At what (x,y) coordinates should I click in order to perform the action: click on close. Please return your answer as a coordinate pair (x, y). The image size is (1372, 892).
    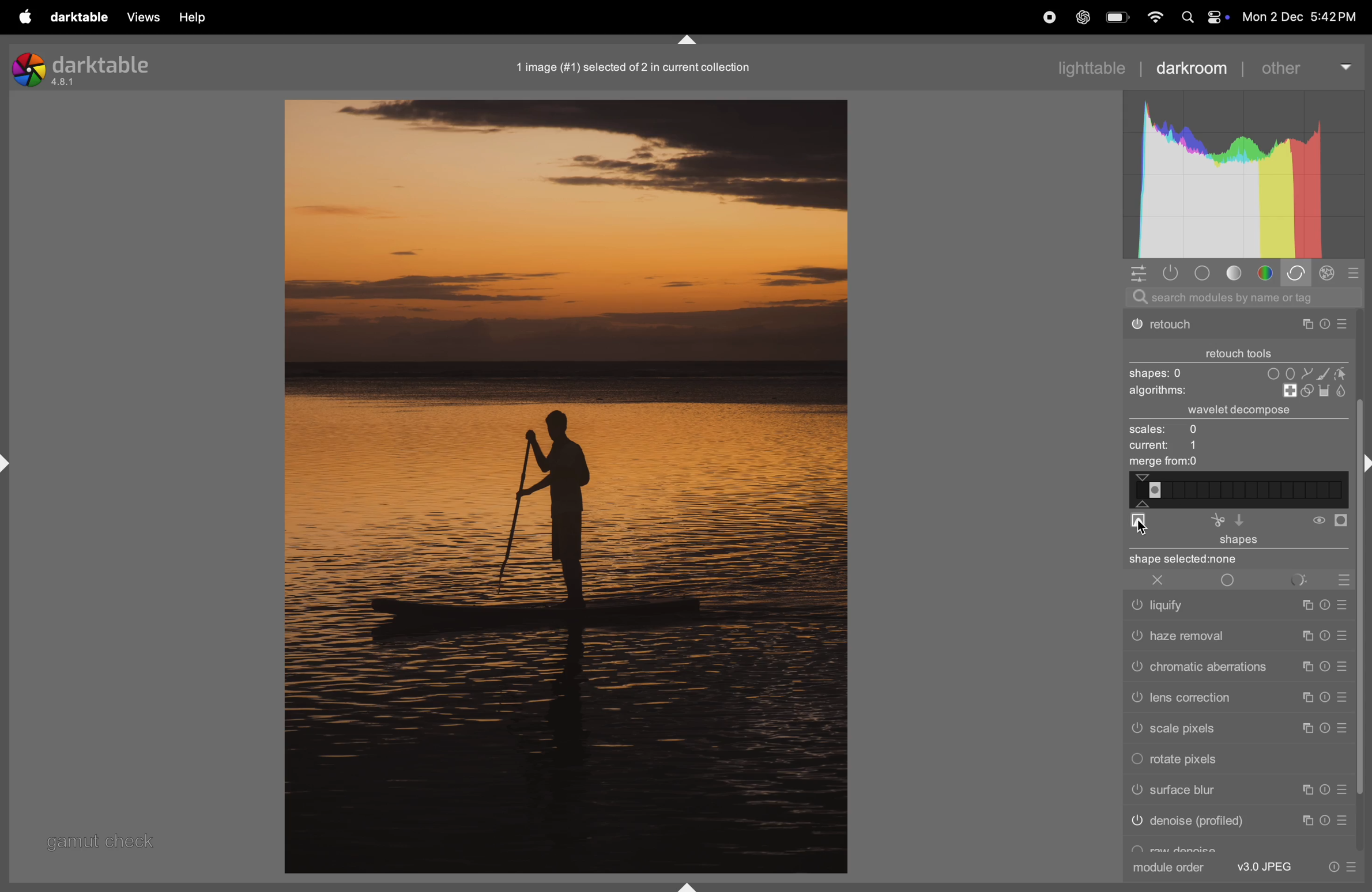
    Looking at the image, I should click on (1154, 580).